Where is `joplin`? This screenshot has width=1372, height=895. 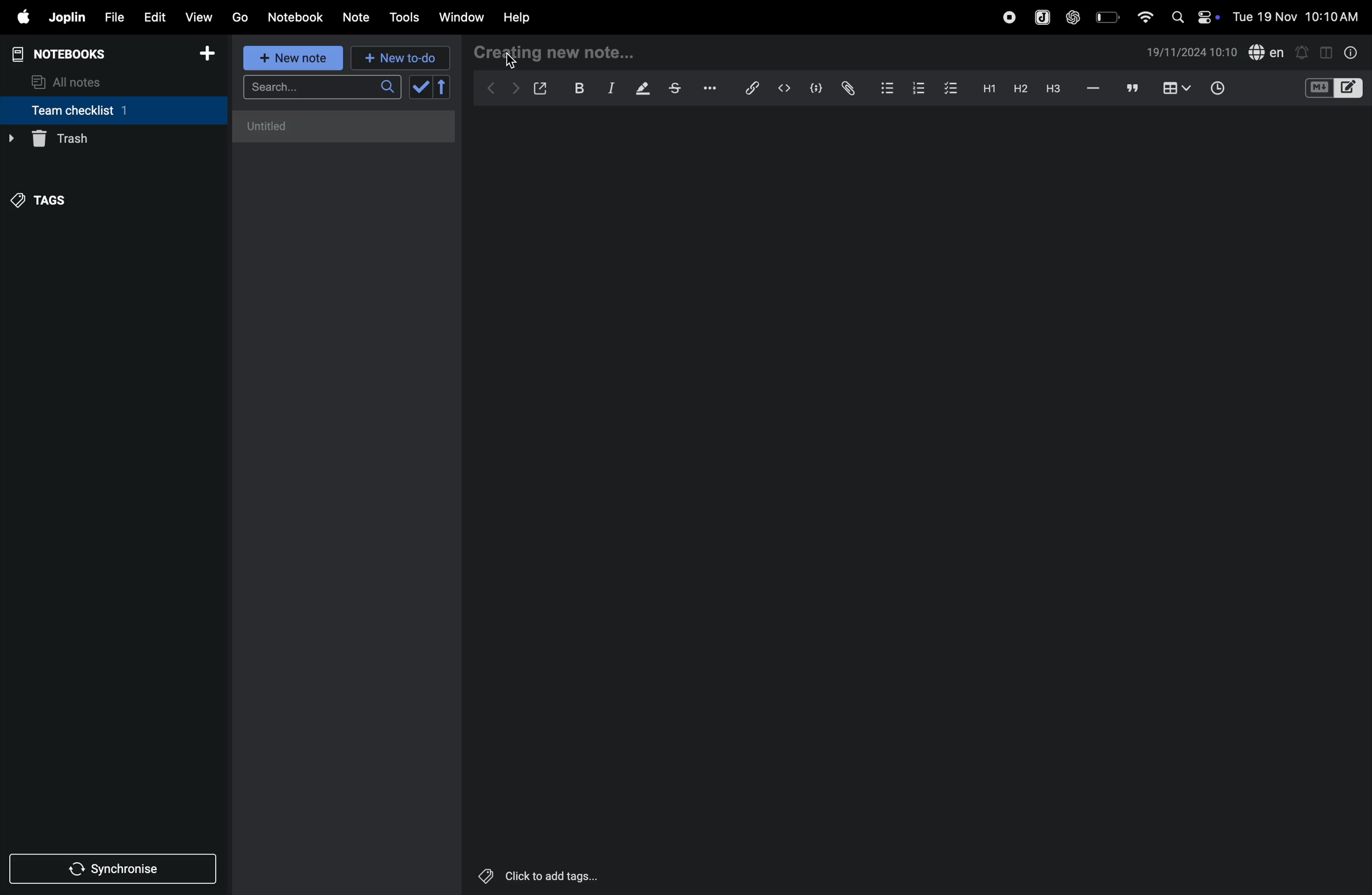 joplin is located at coordinates (68, 18).